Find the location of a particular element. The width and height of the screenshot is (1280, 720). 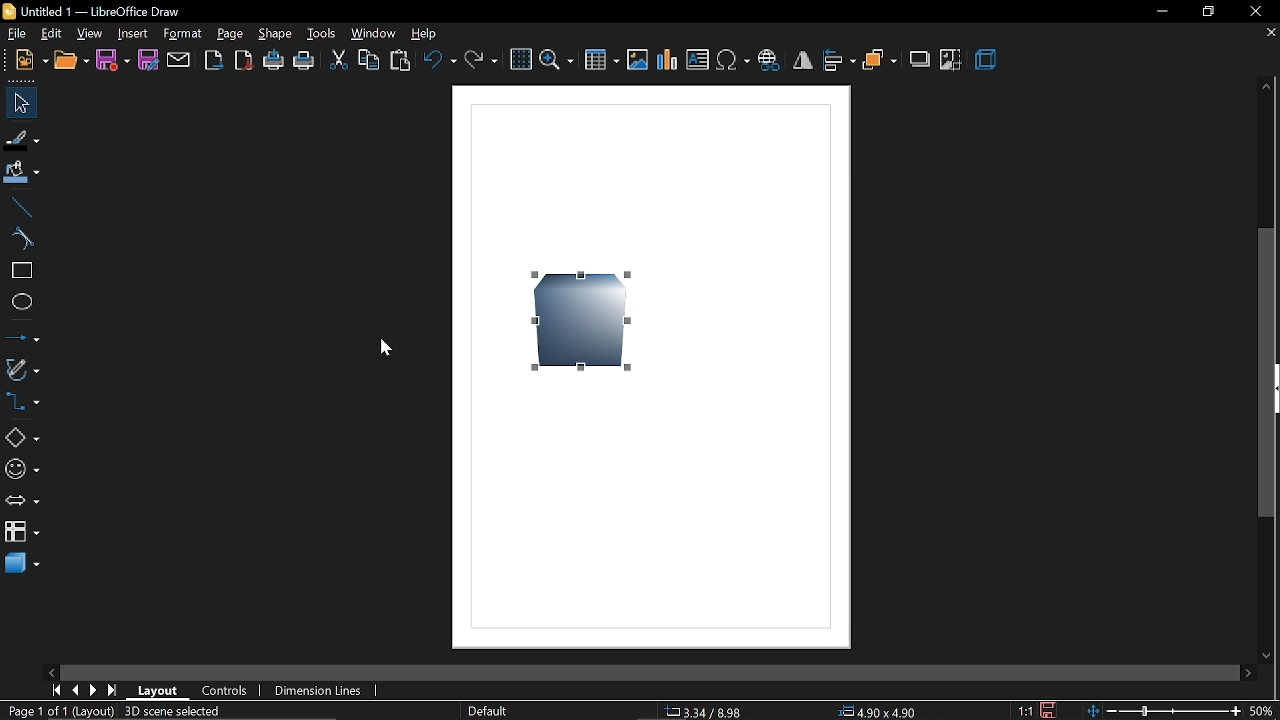

crop is located at coordinates (950, 59).